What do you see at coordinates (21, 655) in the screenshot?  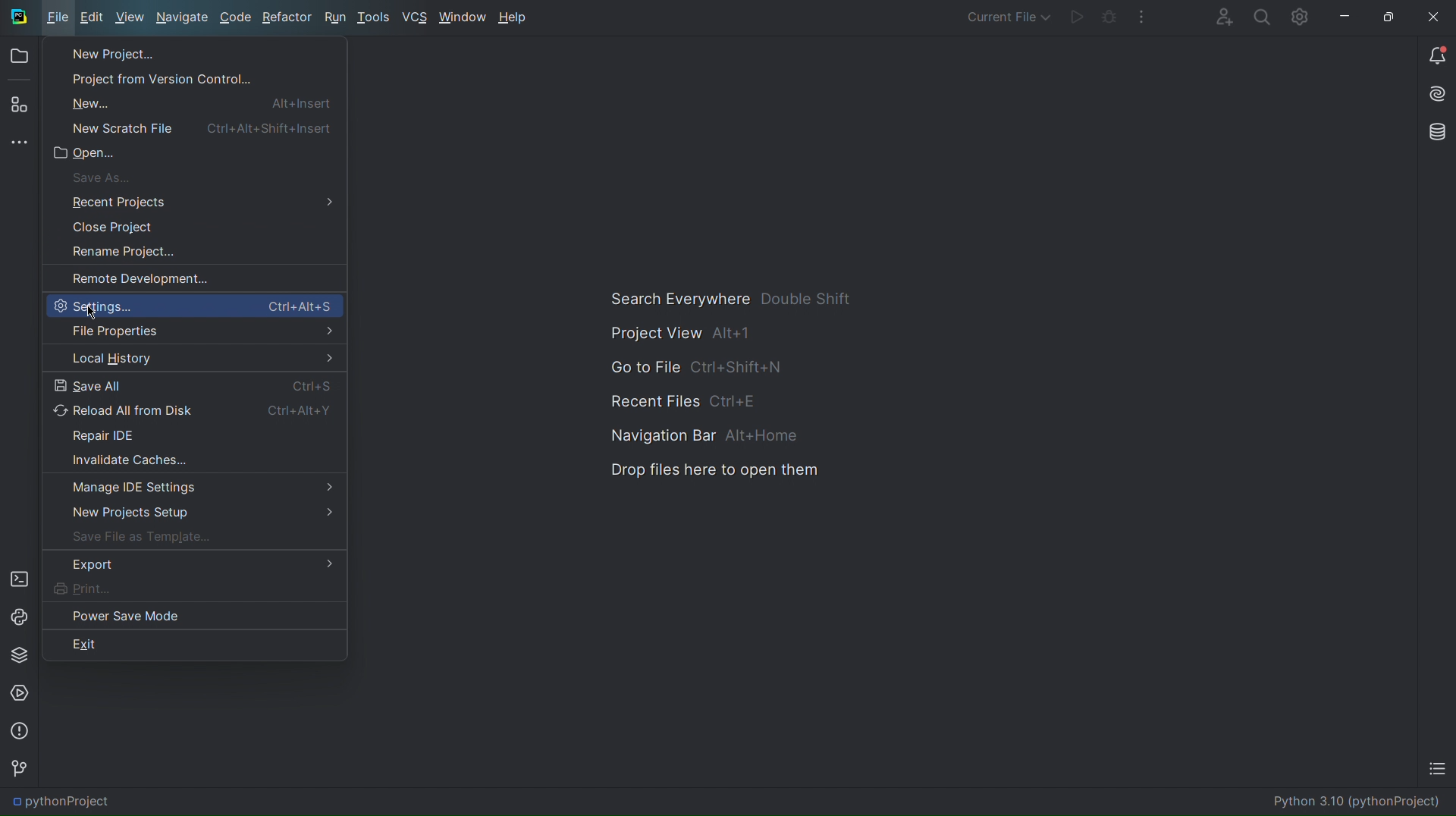 I see `Python Packages` at bounding box center [21, 655].